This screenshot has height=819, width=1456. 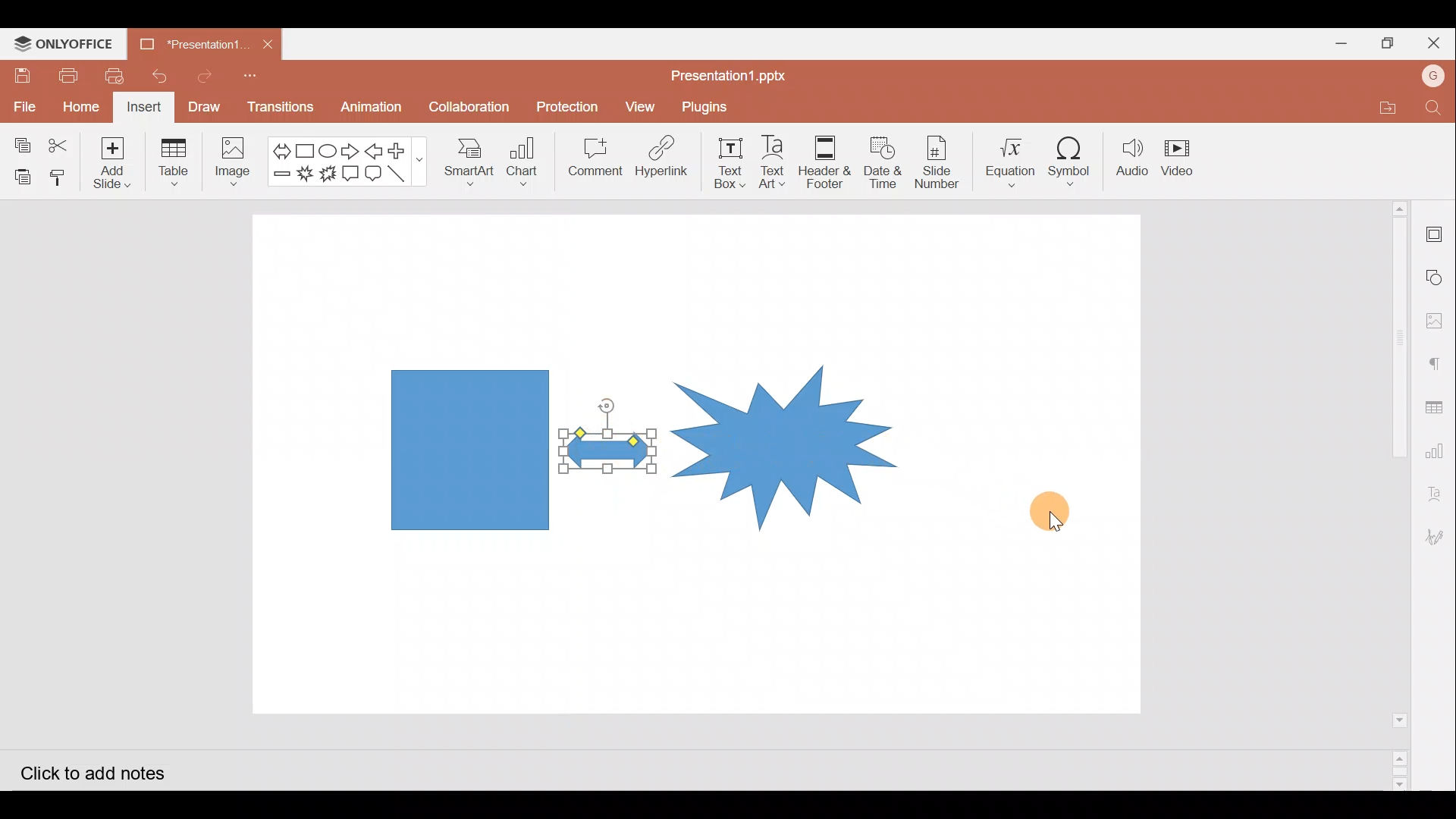 What do you see at coordinates (278, 108) in the screenshot?
I see `Transitions` at bounding box center [278, 108].